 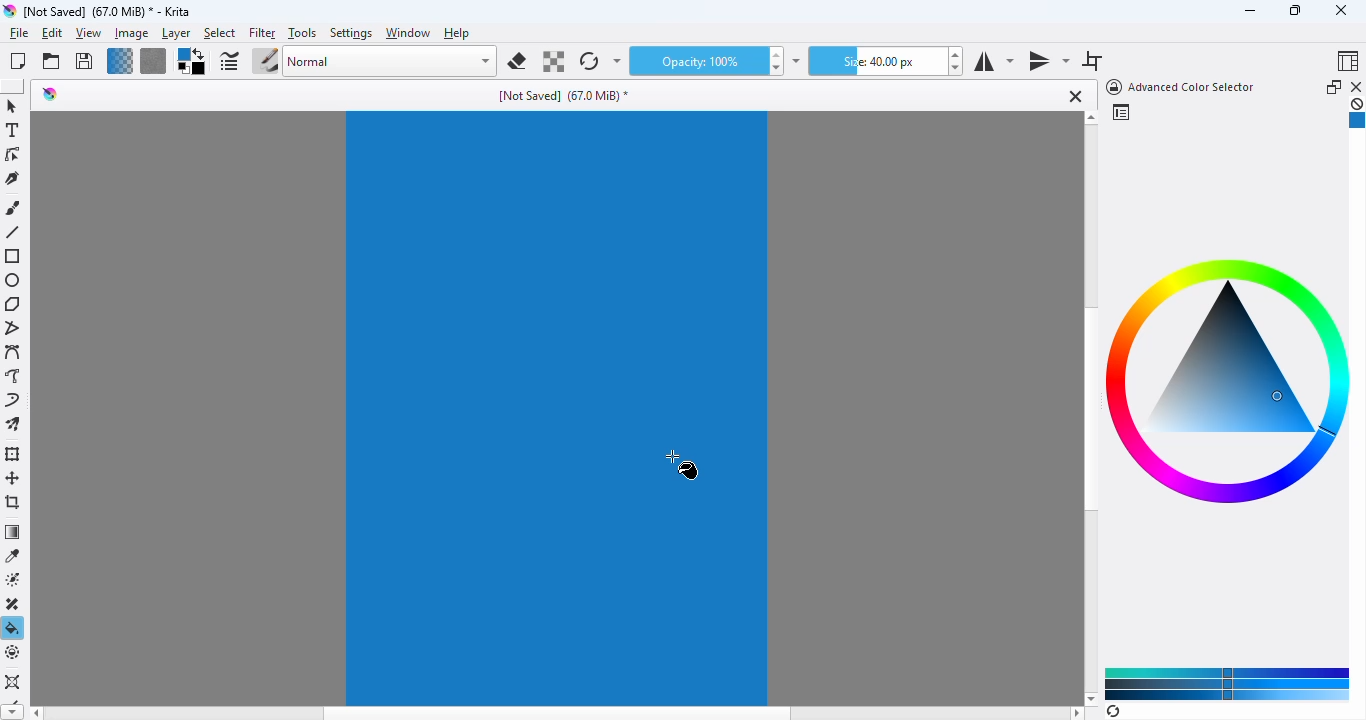 What do you see at coordinates (51, 61) in the screenshot?
I see `open an existing document` at bounding box center [51, 61].